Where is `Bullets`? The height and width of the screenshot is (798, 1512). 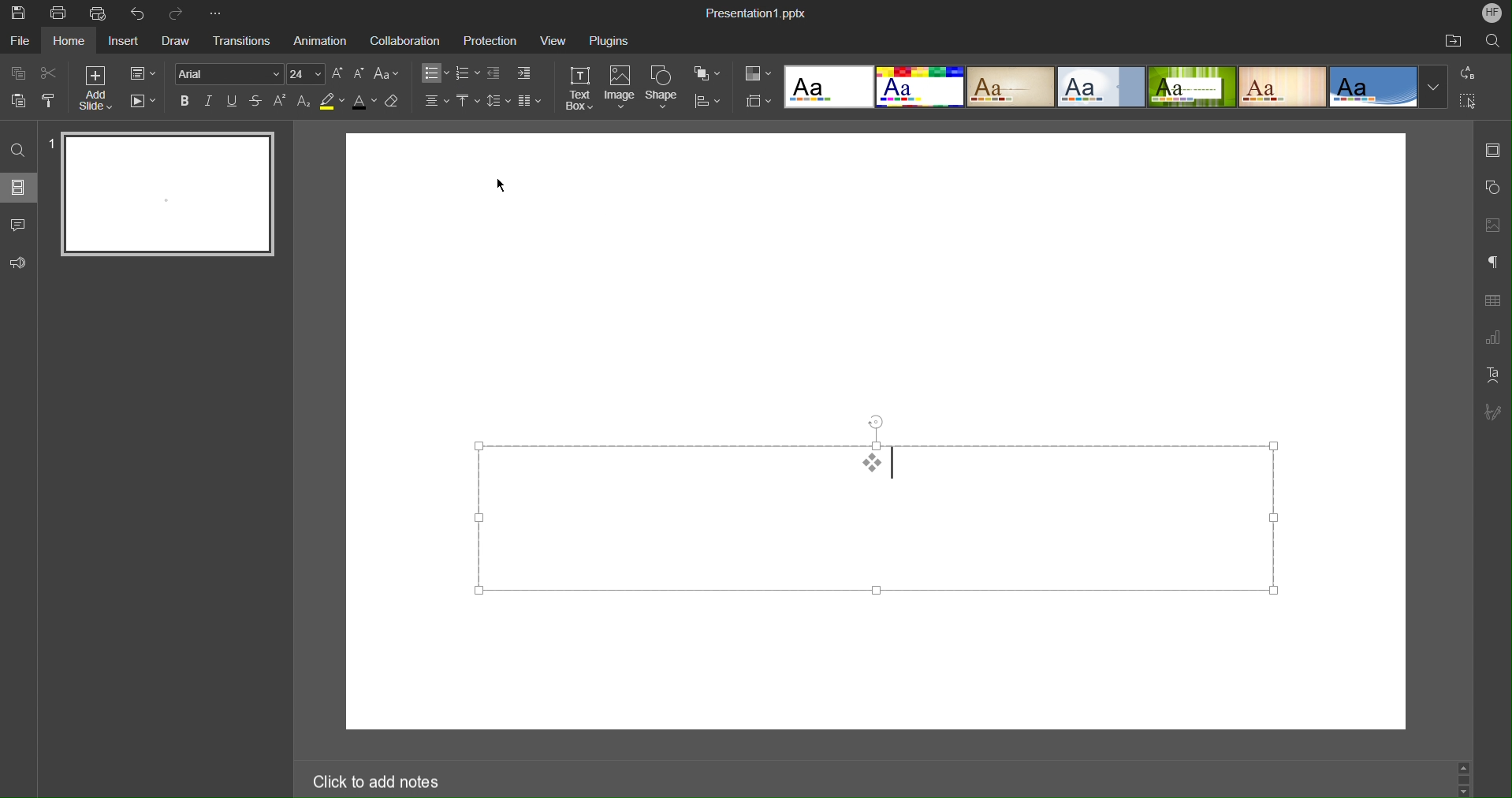
Bullets is located at coordinates (437, 73).